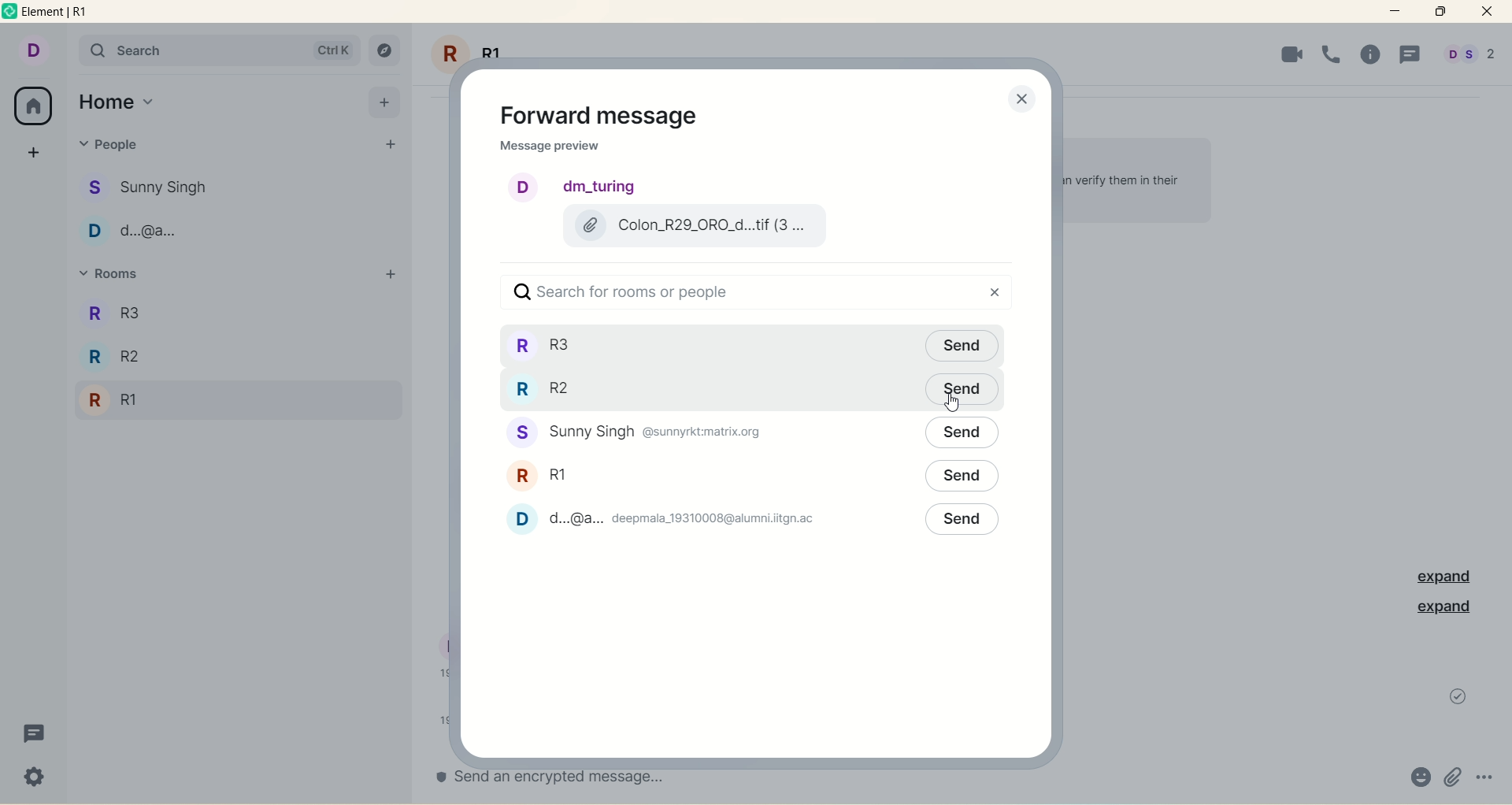  I want to click on message sent, so click(1458, 696).